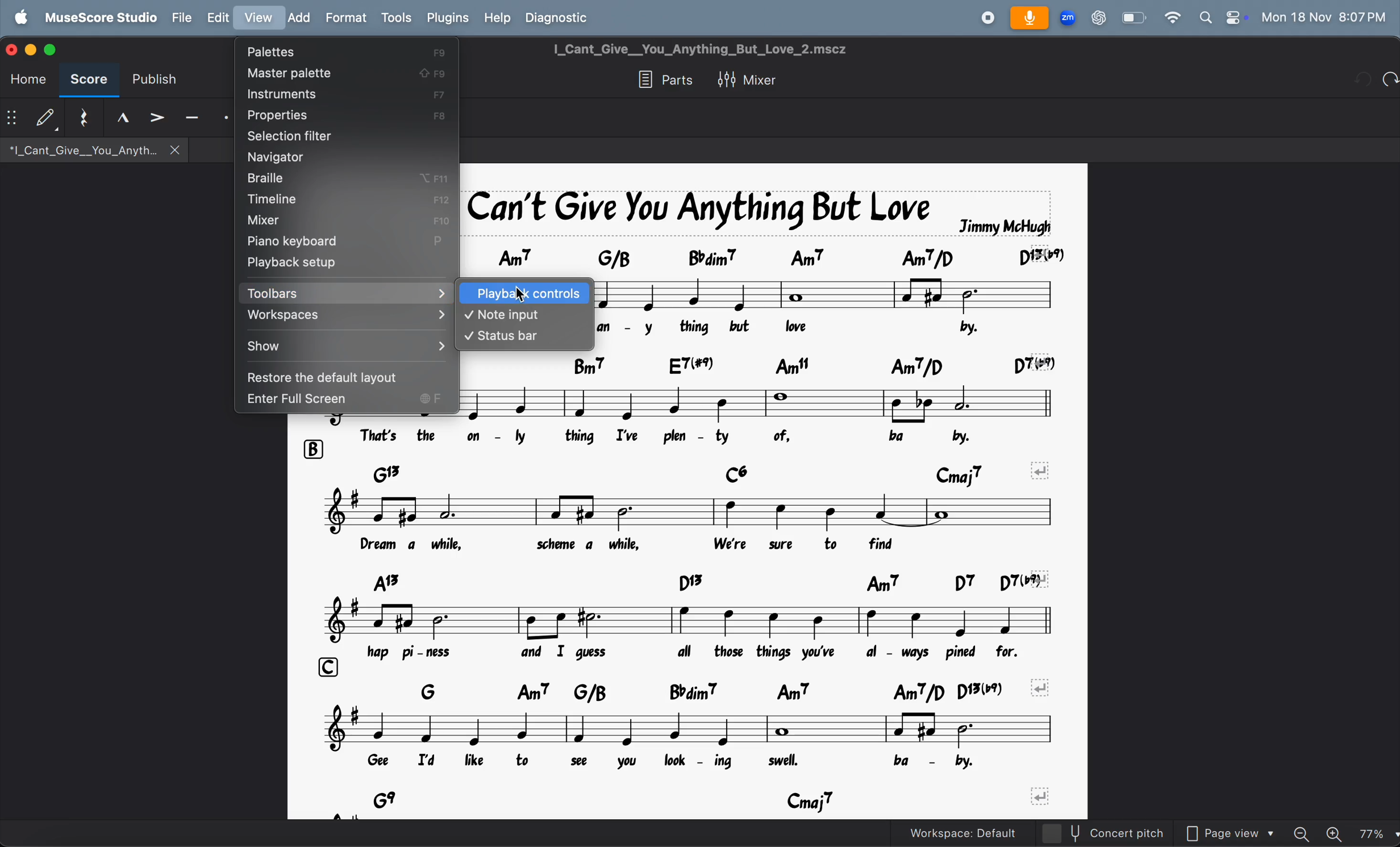 The width and height of the screenshot is (1400, 847). I want to click on timline, so click(343, 199).